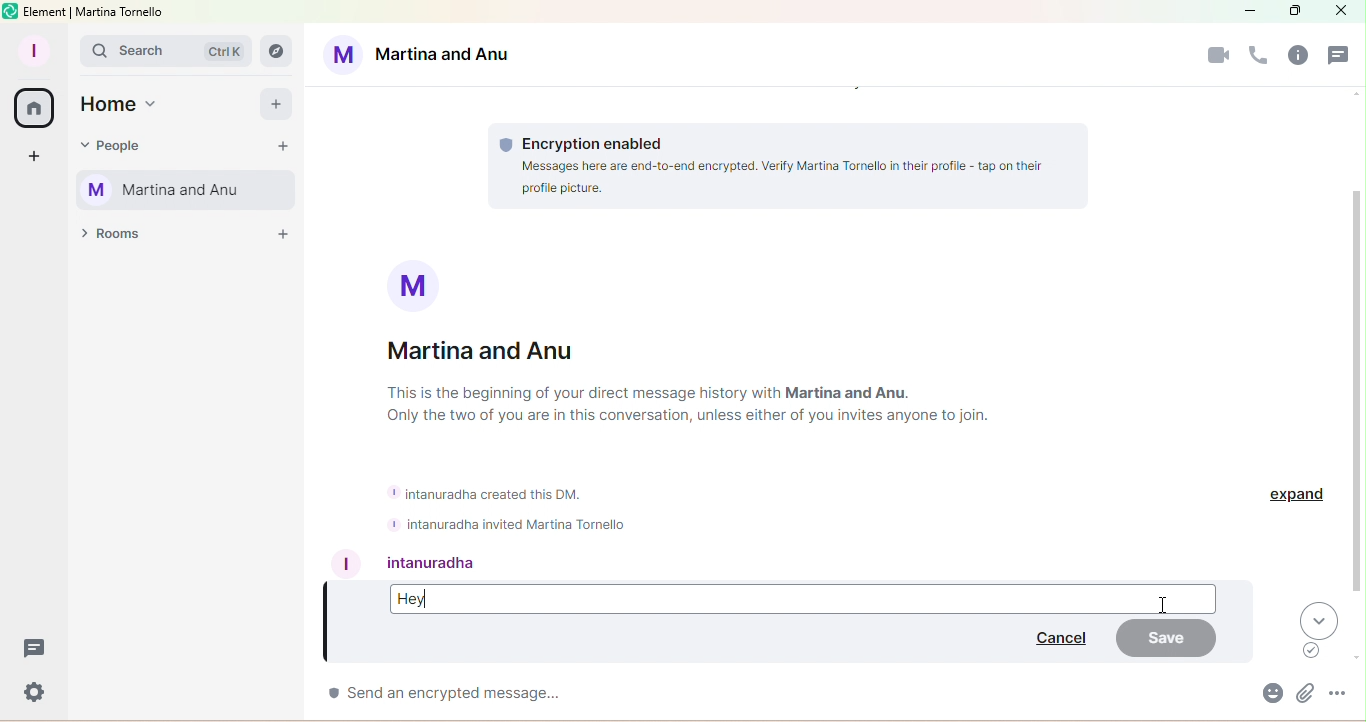 This screenshot has width=1366, height=722. I want to click on Martina and Anu, so click(502, 353).